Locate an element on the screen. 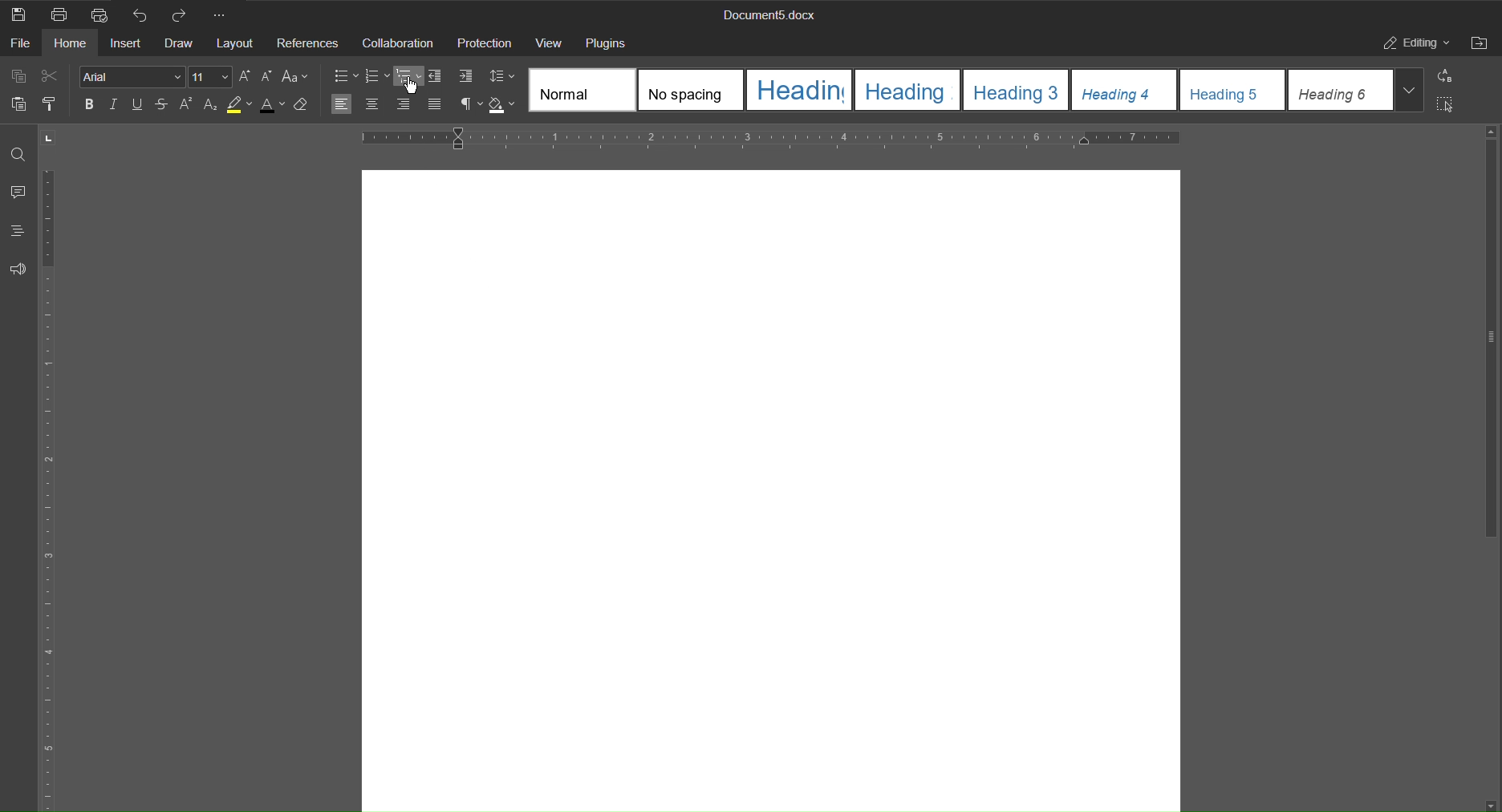 The height and width of the screenshot is (812, 1502). non-printing characters is located at coordinates (469, 104).